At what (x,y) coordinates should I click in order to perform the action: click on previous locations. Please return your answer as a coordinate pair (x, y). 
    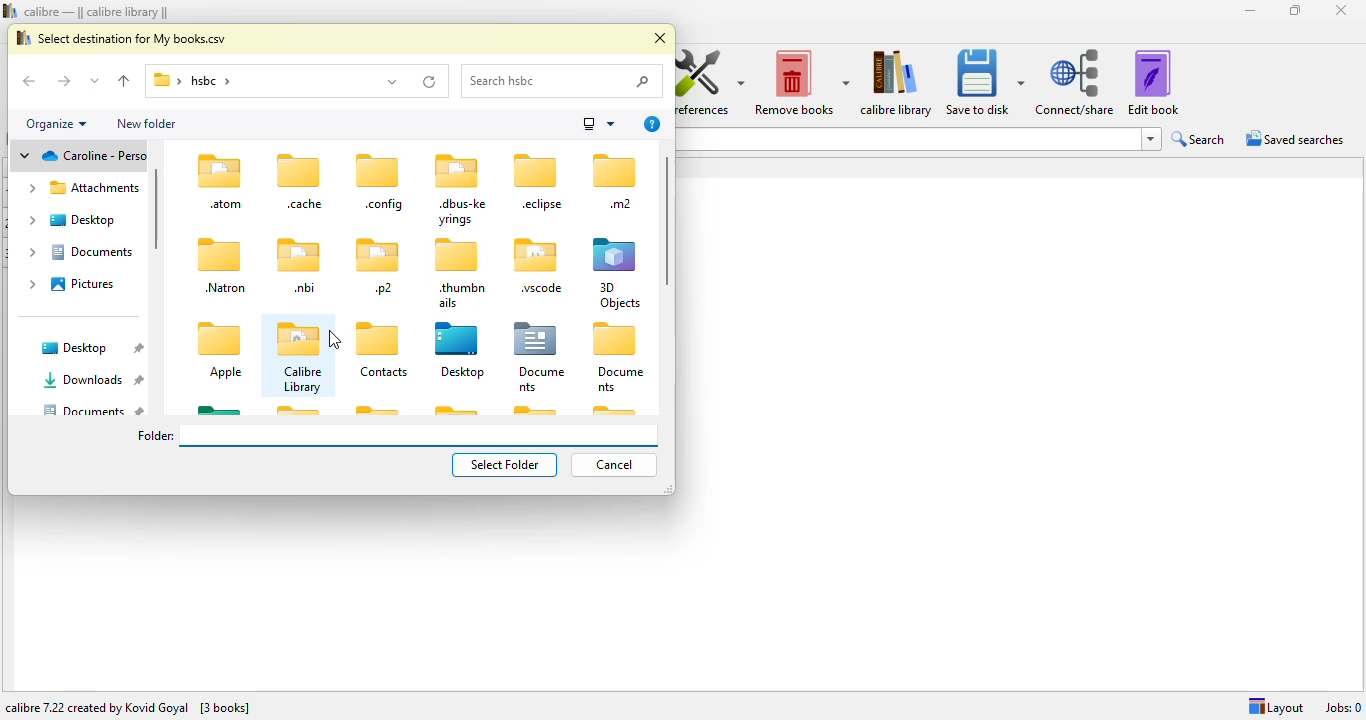
    Looking at the image, I should click on (392, 80).